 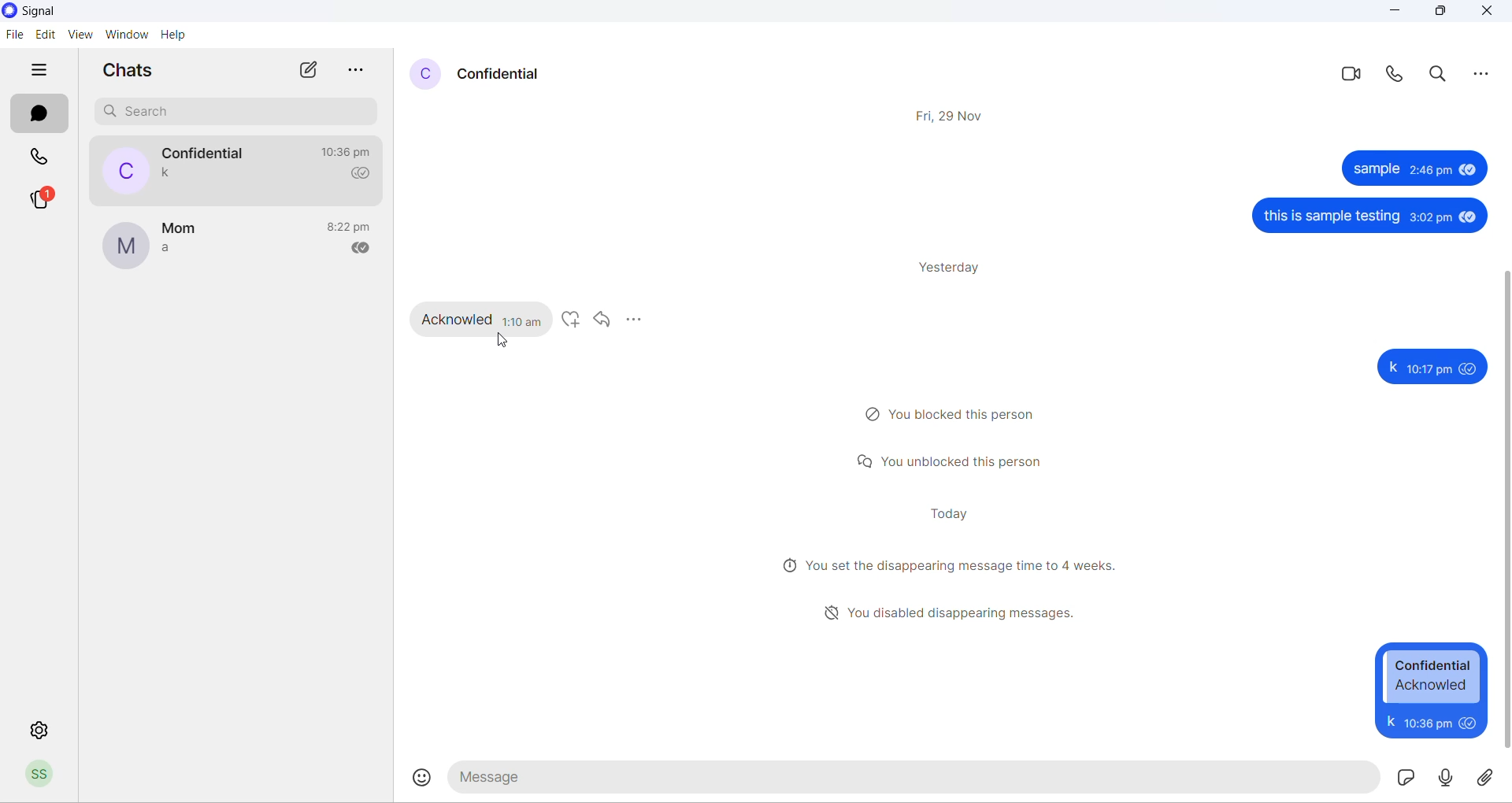 I want to click on k, so click(x=1392, y=367).